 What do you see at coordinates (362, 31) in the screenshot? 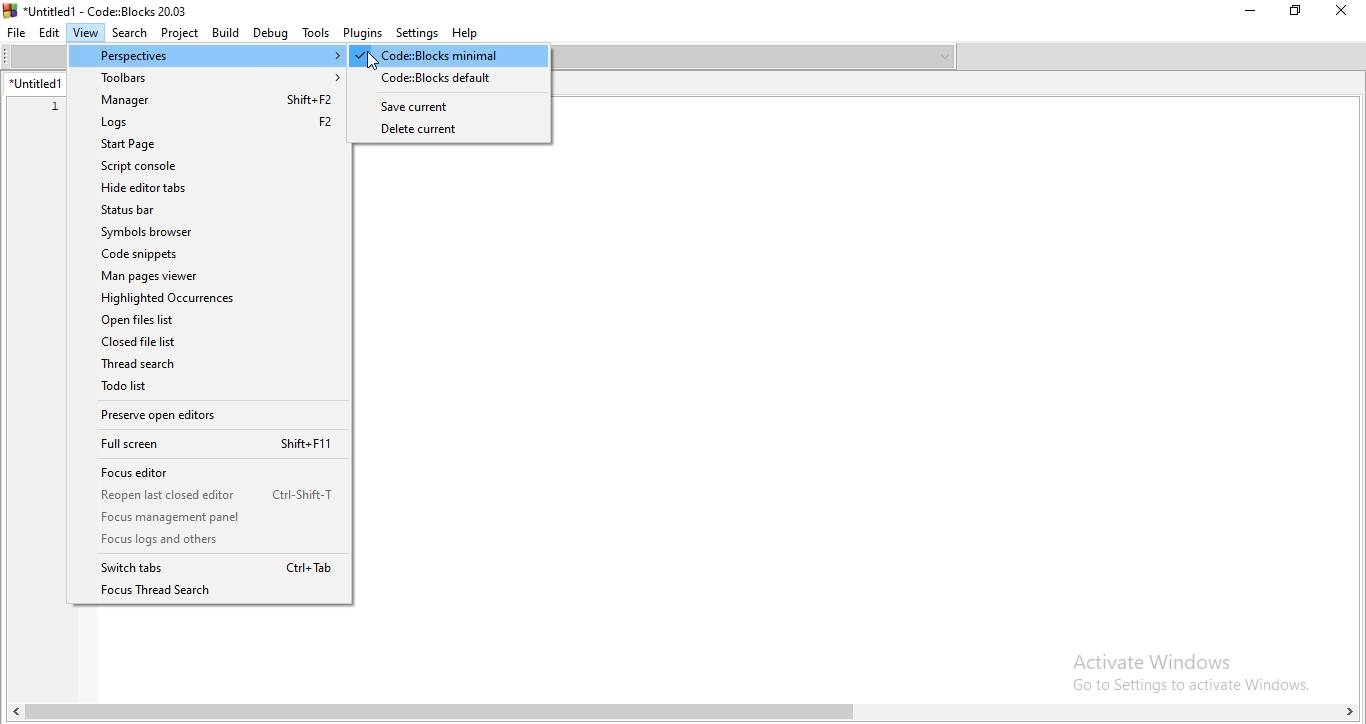
I see `Plugins ` at bounding box center [362, 31].